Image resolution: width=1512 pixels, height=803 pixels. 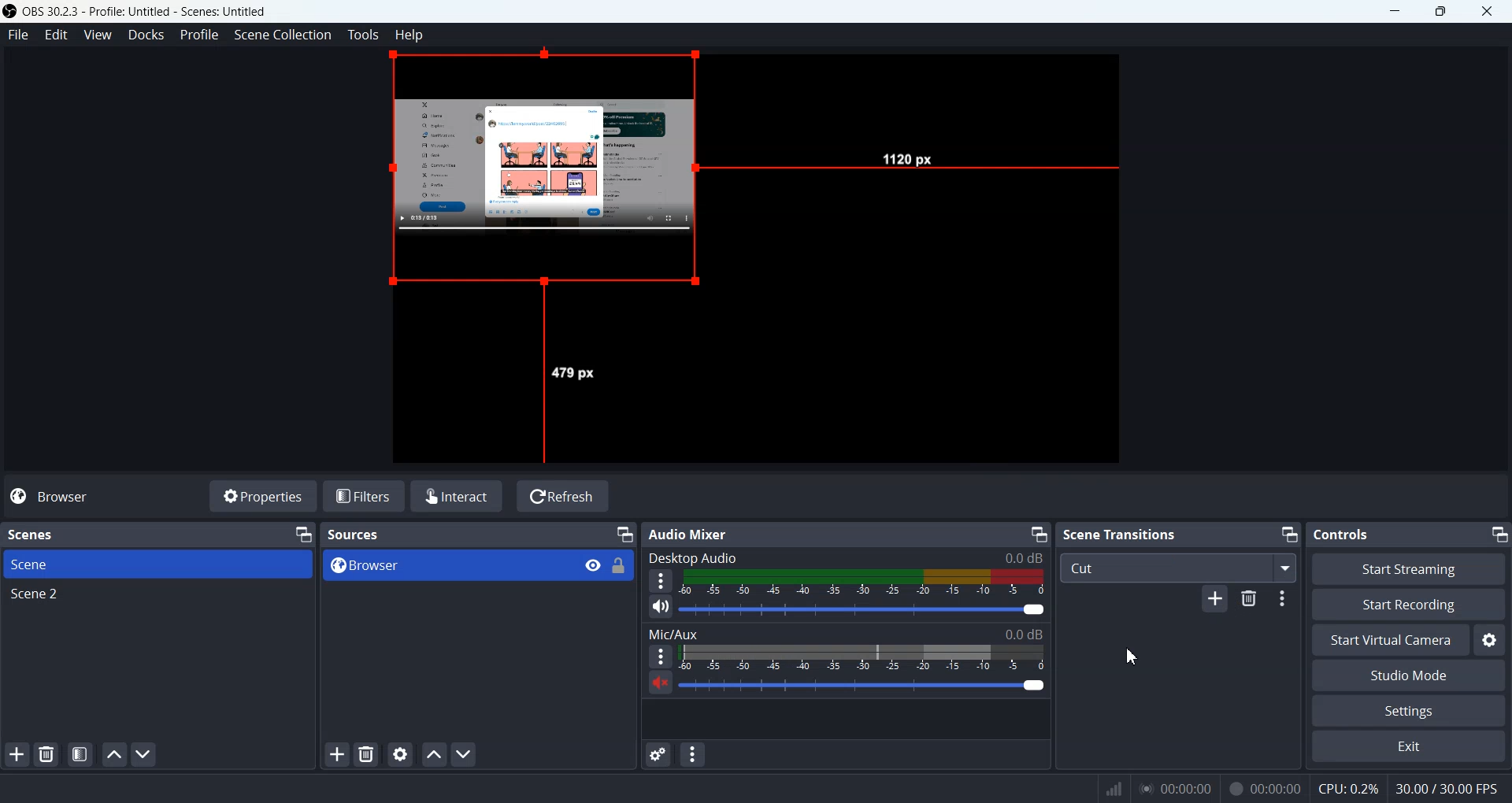 What do you see at coordinates (694, 753) in the screenshot?
I see `Audio mixer menu` at bounding box center [694, 753].